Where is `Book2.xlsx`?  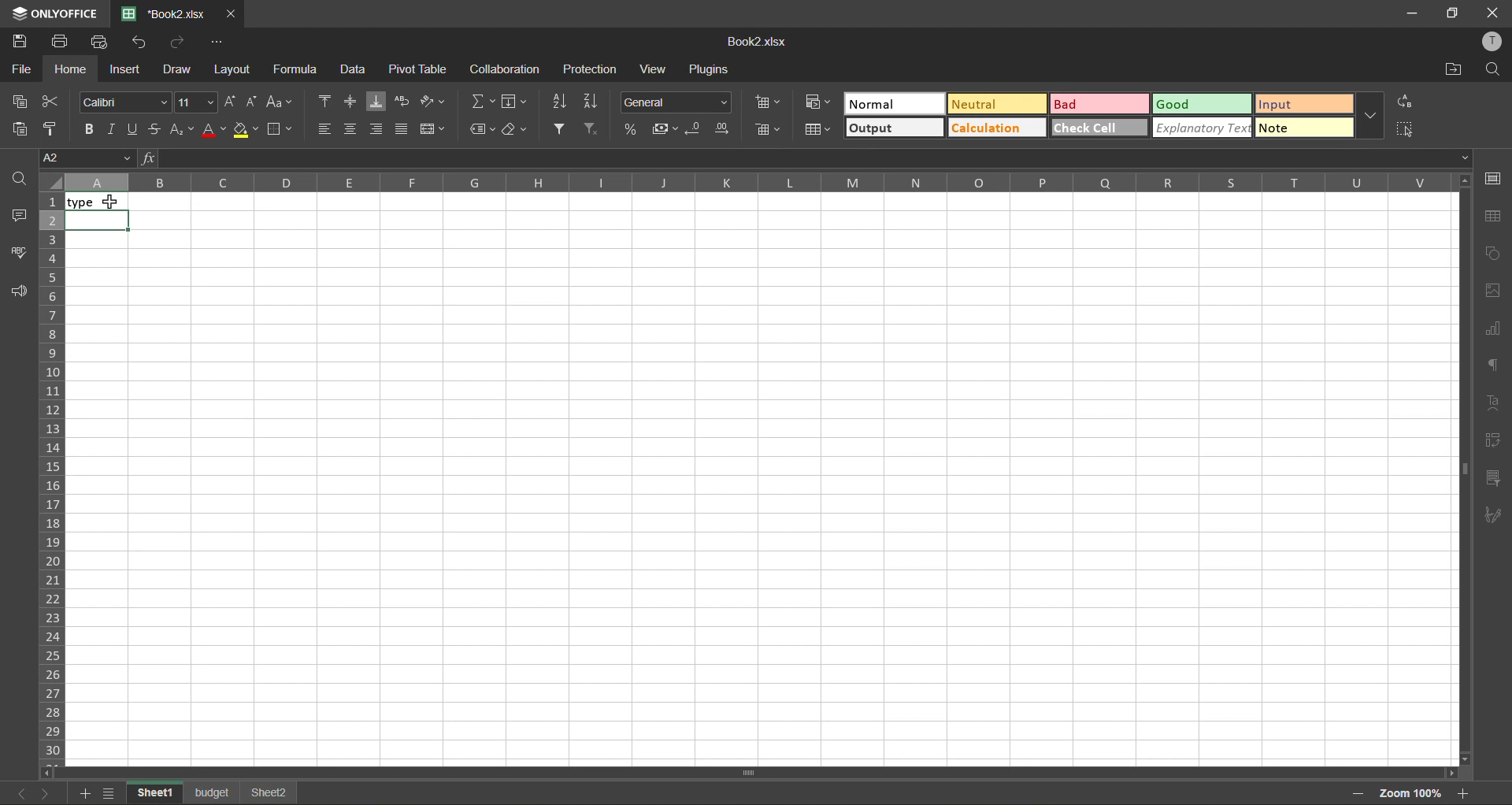
Book2.xlsx is located at coordinates (756, 44).